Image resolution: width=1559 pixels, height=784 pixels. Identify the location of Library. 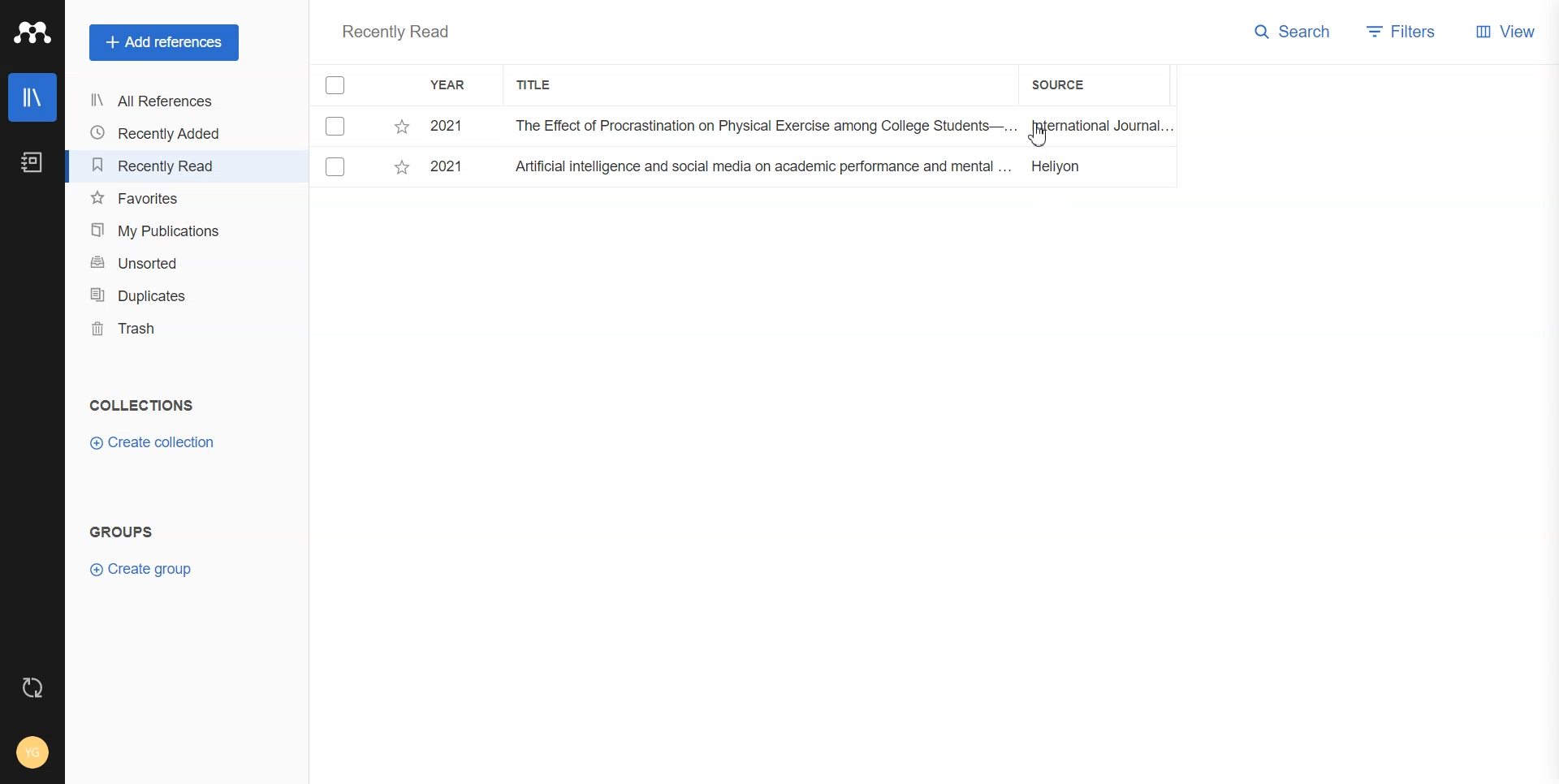
(33, 97).